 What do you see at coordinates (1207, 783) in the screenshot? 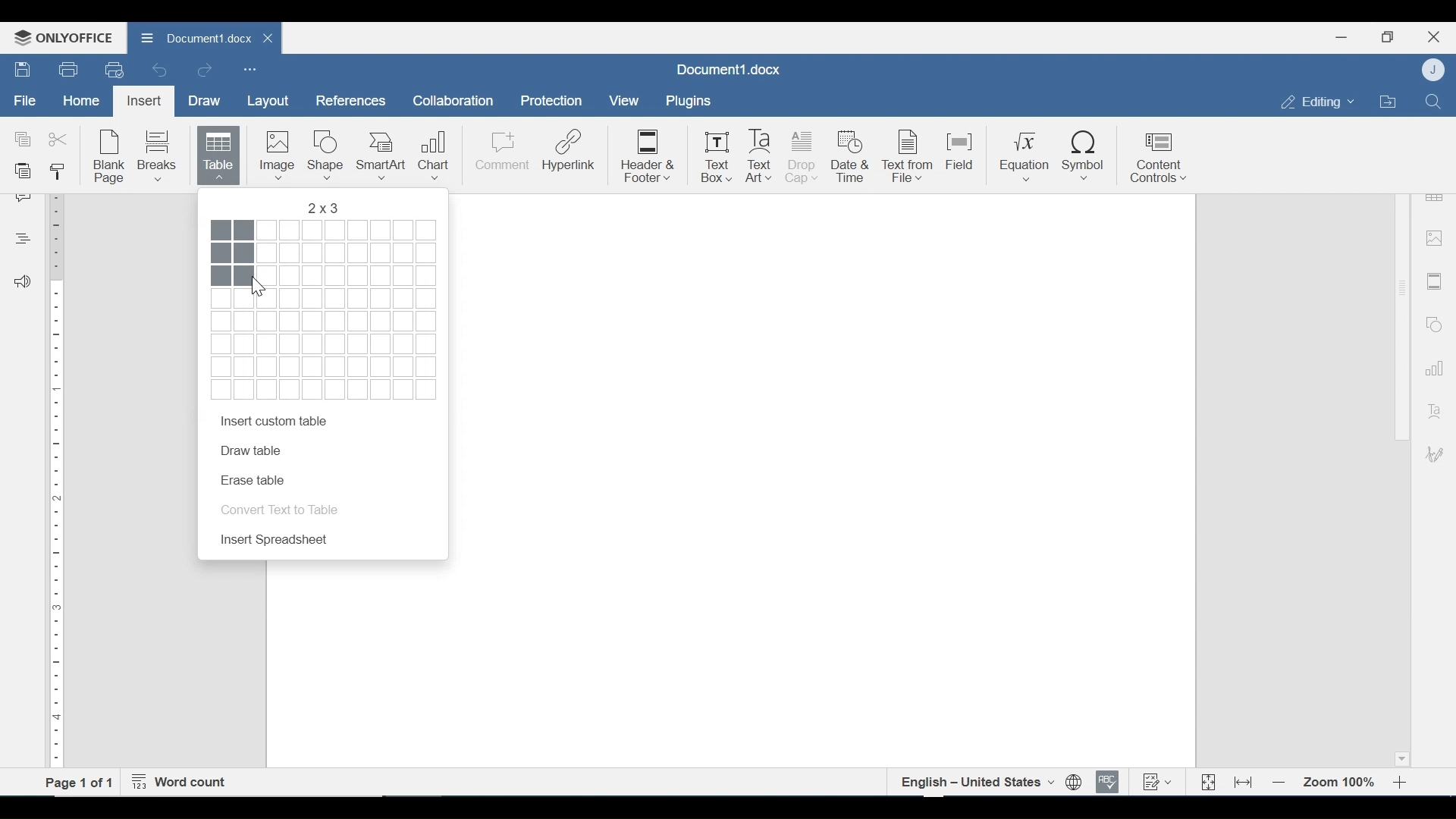
I see `Fit to Page` at bounding box center [1207, 783].